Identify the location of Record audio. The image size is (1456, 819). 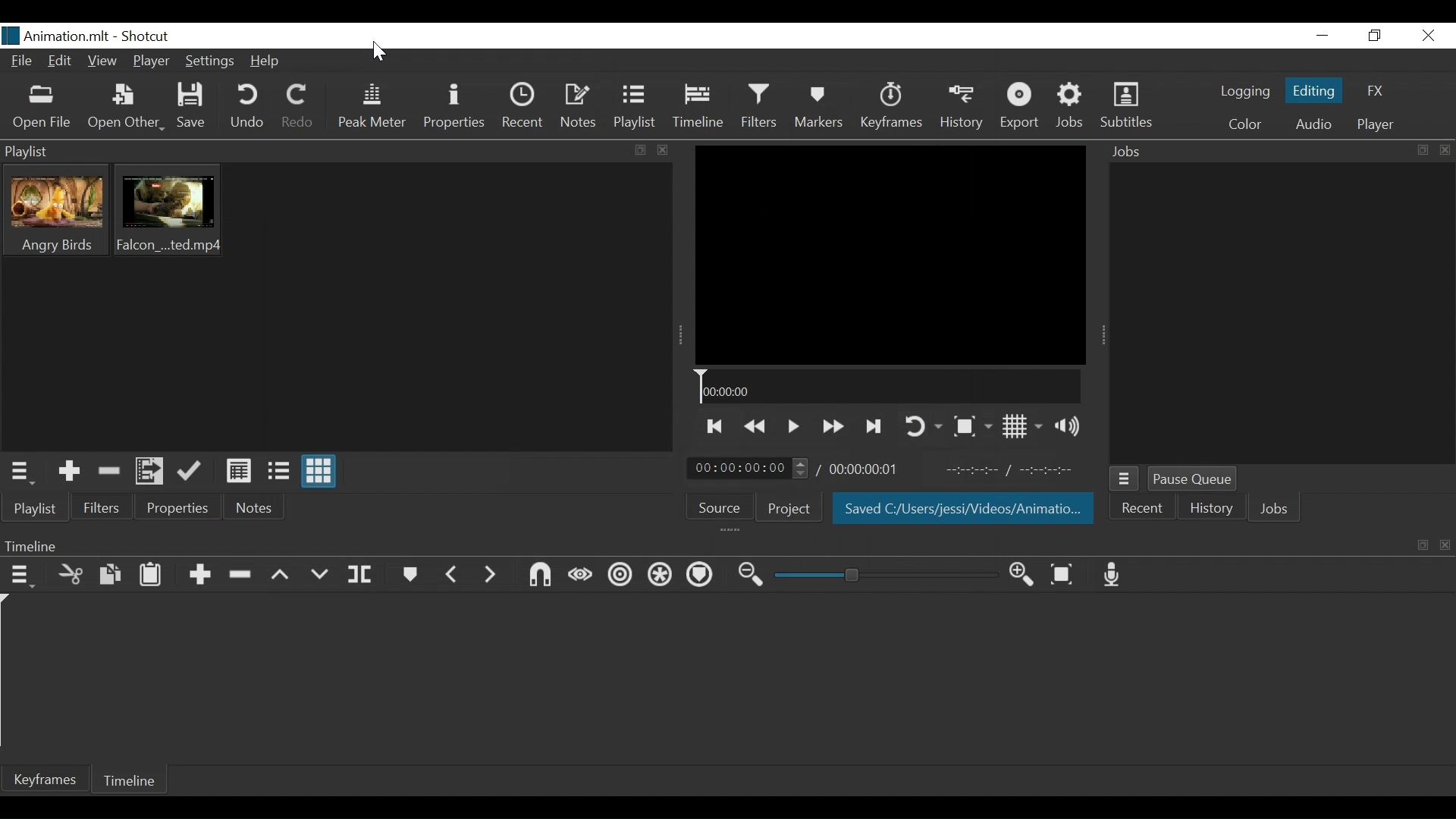
(1112, 575).